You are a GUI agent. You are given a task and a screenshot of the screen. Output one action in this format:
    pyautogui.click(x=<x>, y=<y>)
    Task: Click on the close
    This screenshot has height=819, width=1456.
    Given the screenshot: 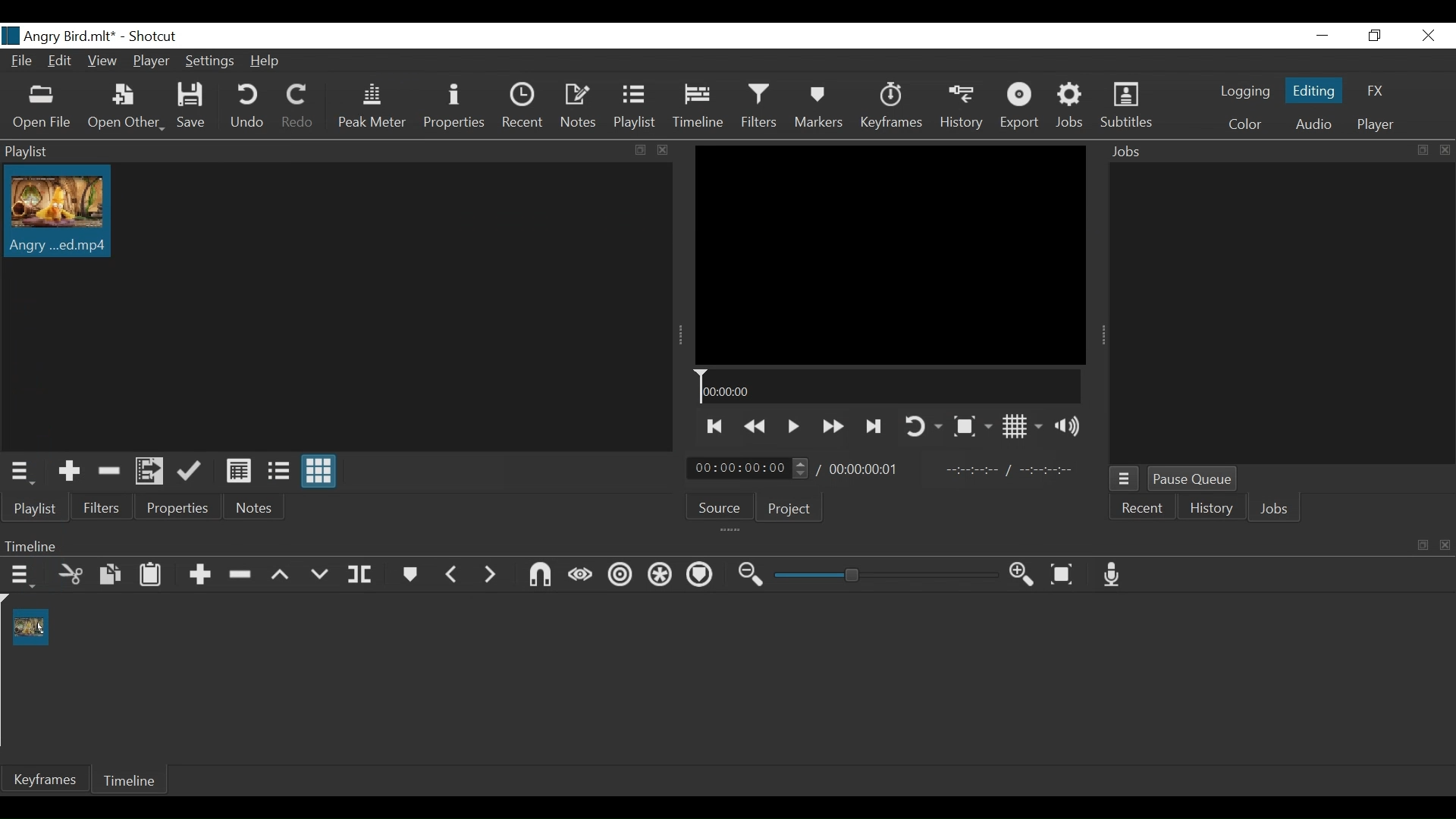 What is the action you would take?
    pyautogui.click(x=1429, y=35)
    